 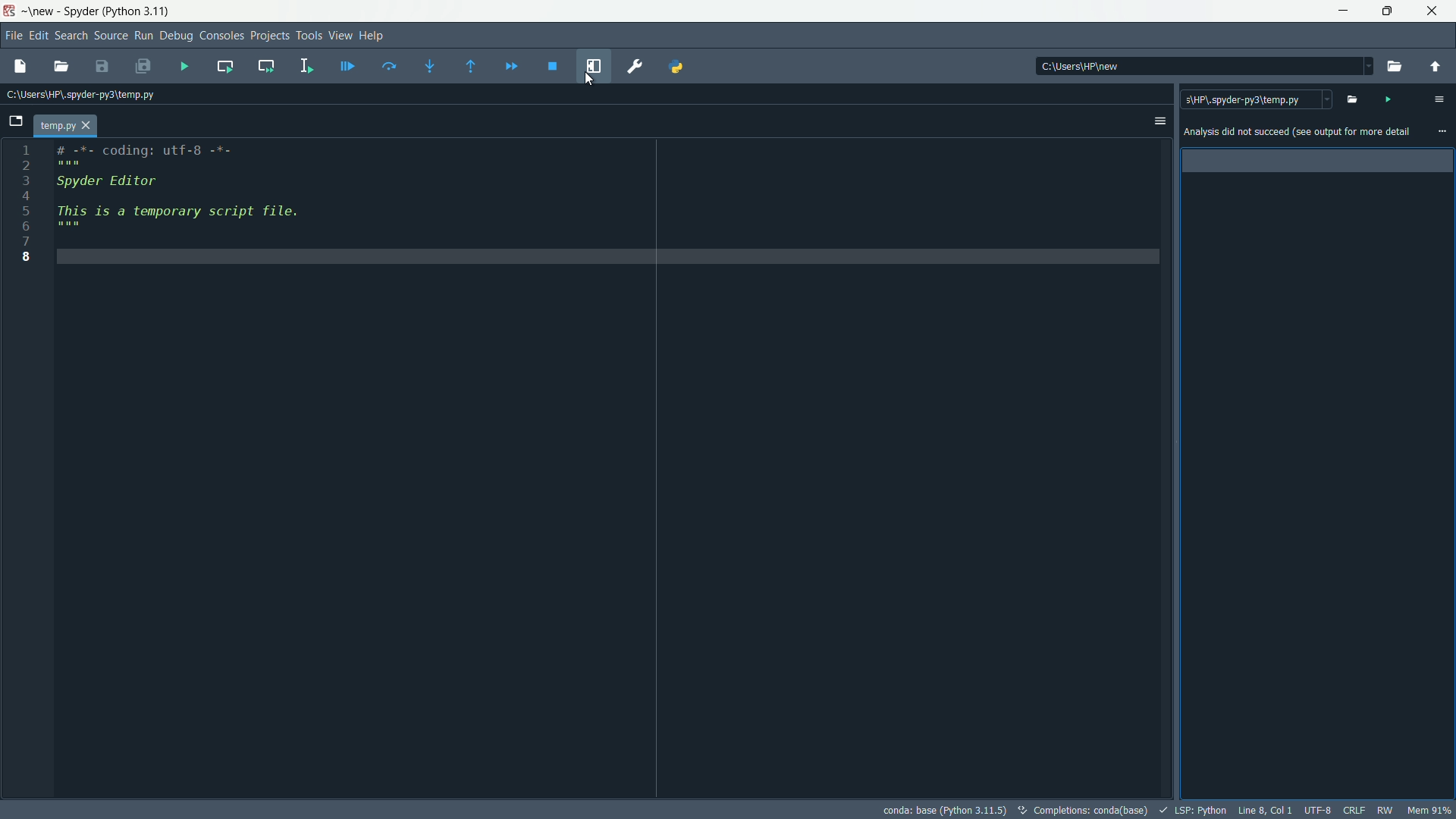 What do you see at coordinates (22, 66) in the screenshot?
I see `new file` at bounding box center [22, 66].